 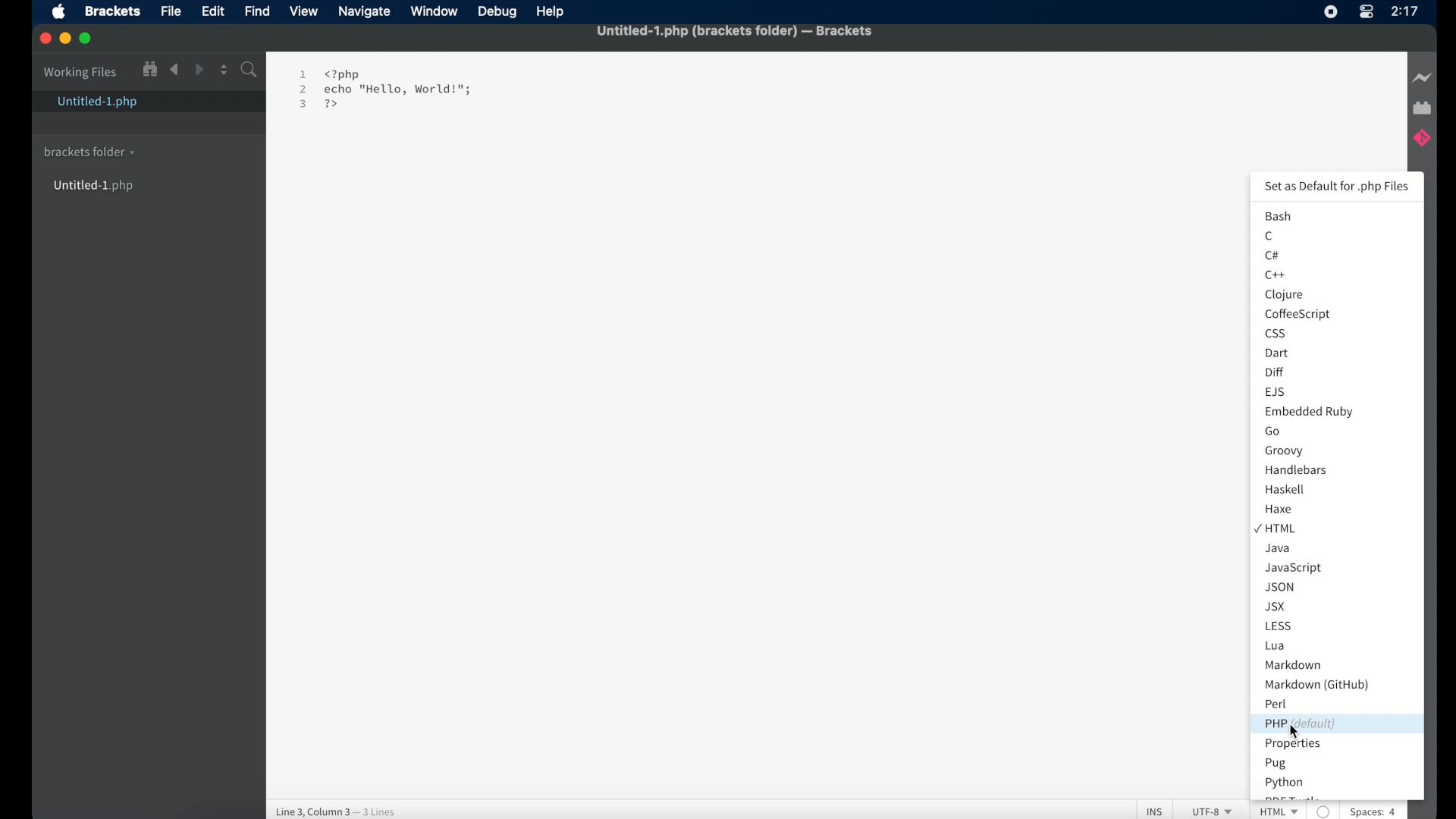 What do you see at coordinates (1278, 275) in the screenshot?
I see `c++` at bounding box center [1278, 275].